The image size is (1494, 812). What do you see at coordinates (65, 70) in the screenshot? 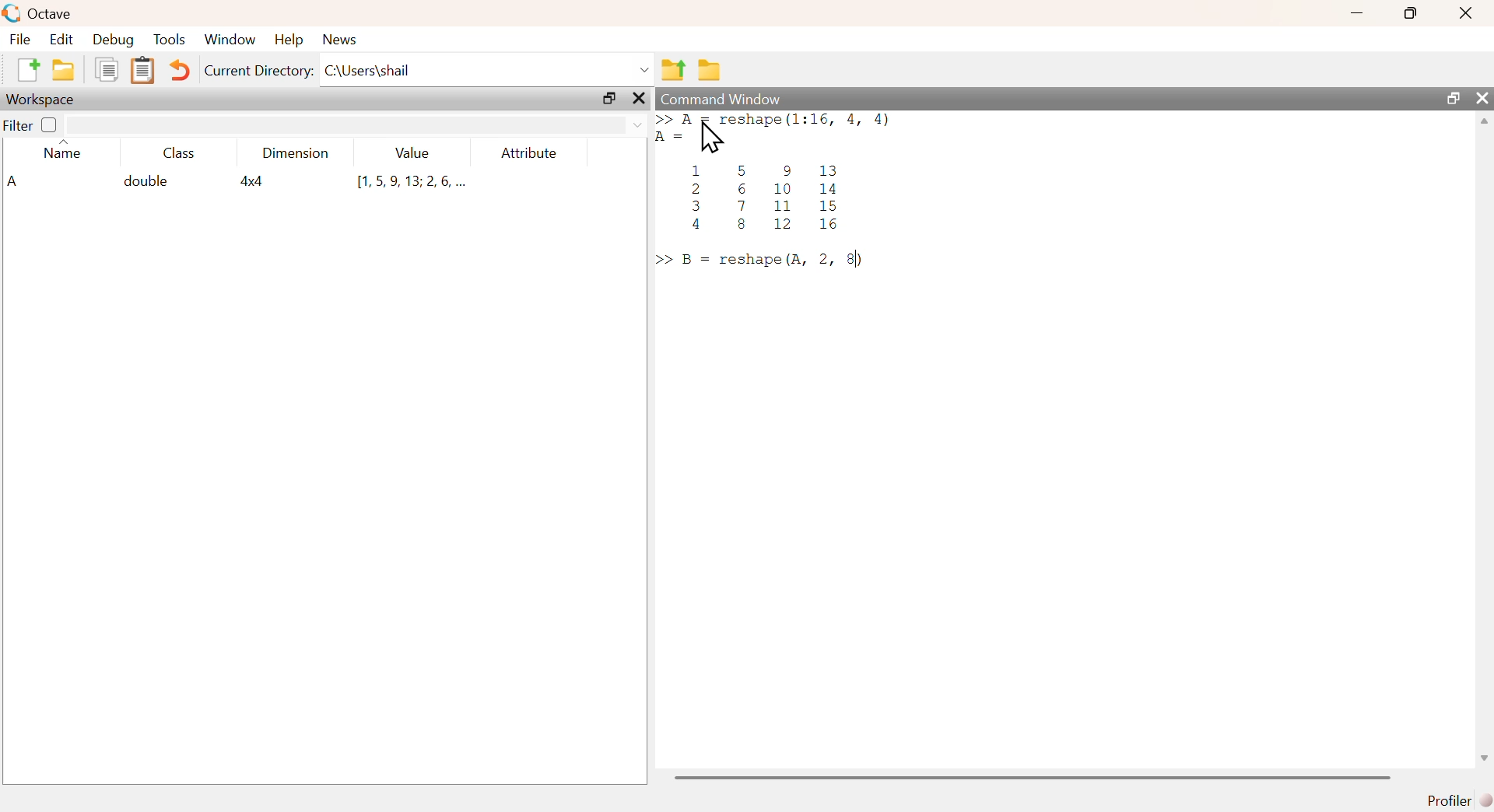
I see `open an existing file in editor` at bounding box center [65, 70].